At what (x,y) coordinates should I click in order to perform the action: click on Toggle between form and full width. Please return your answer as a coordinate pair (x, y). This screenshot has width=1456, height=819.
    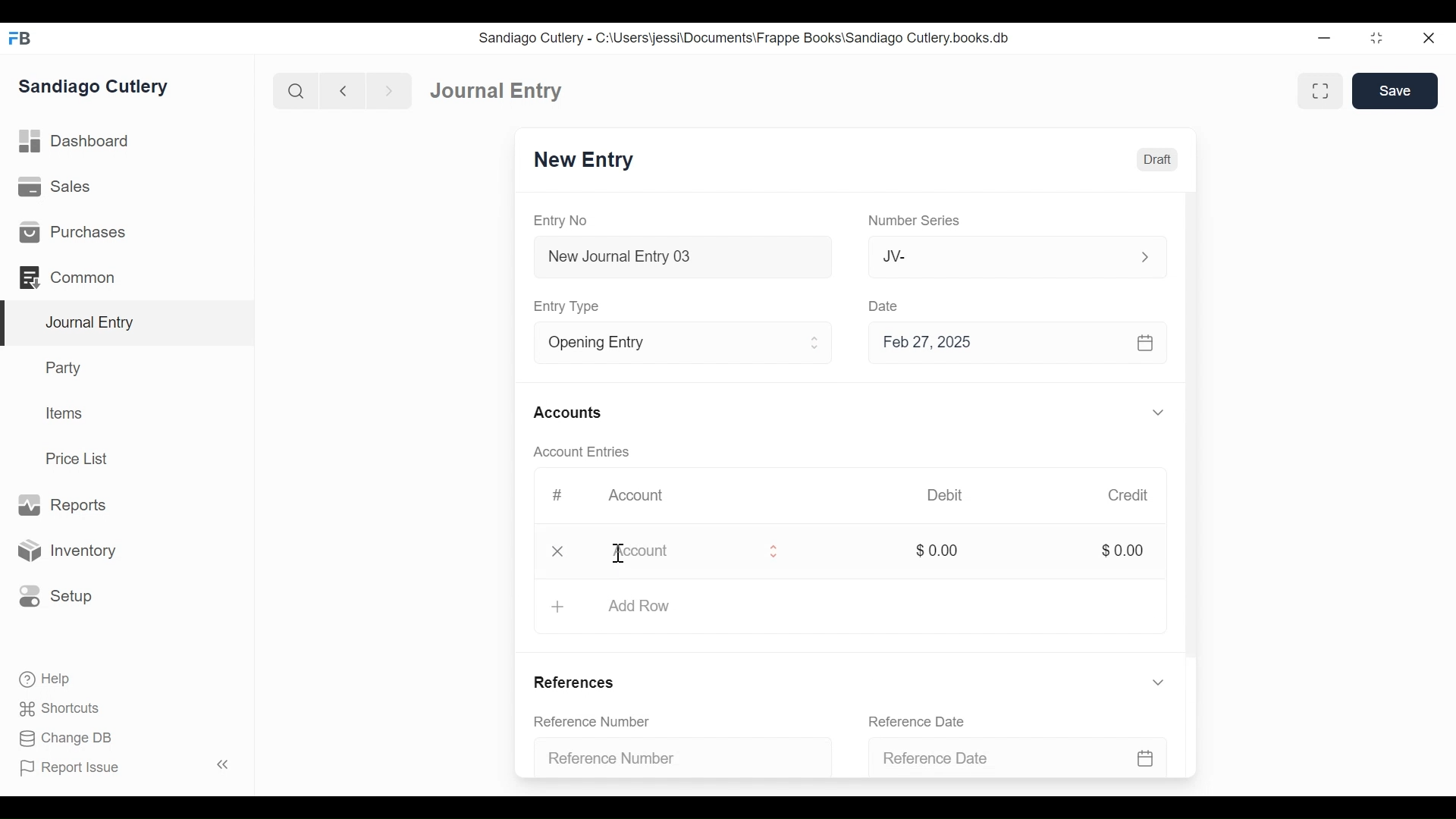
    Looking at the image, I should click on (1320, 90).